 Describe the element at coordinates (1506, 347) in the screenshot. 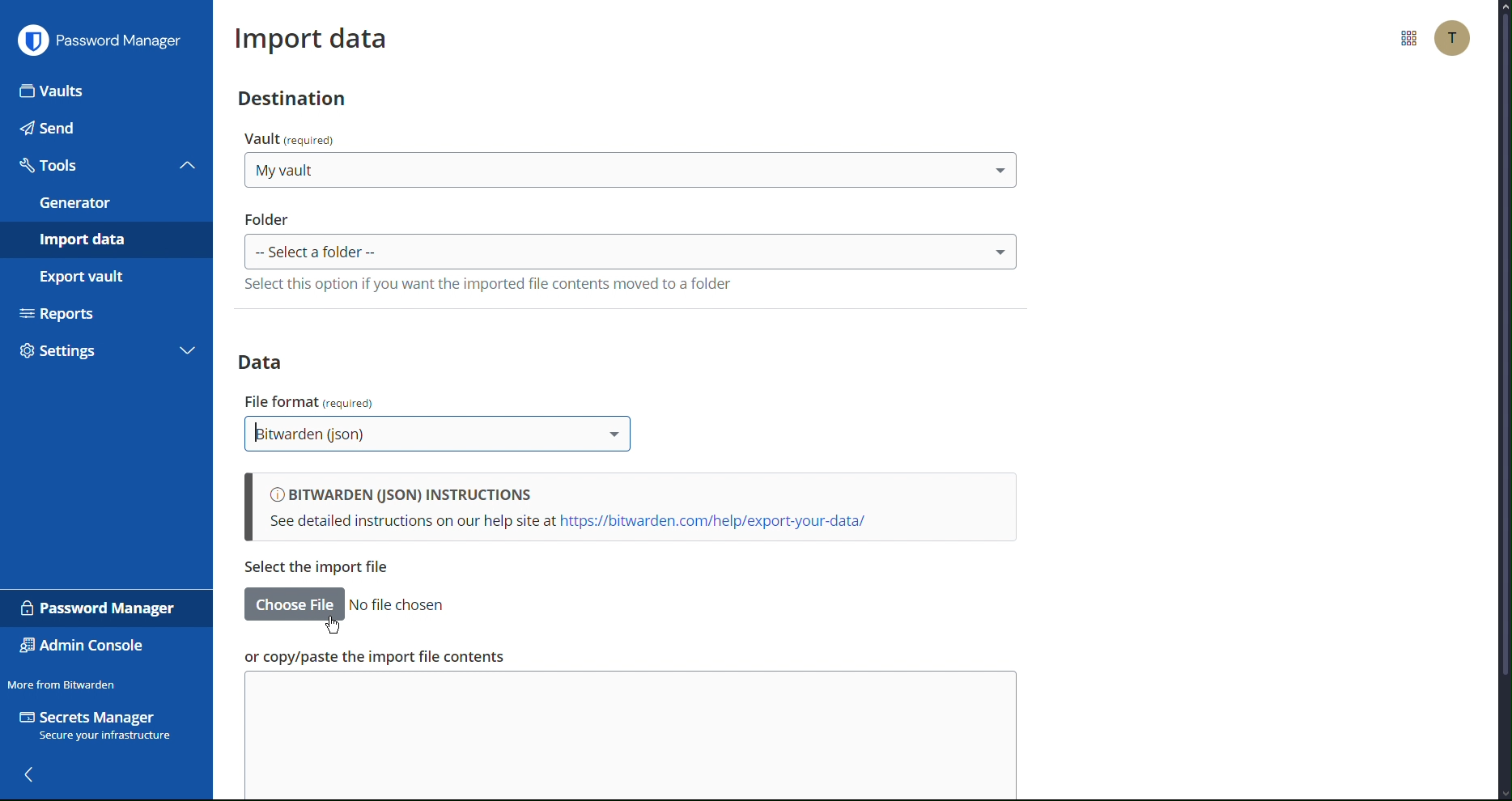

I see `scrollbar` at that location.